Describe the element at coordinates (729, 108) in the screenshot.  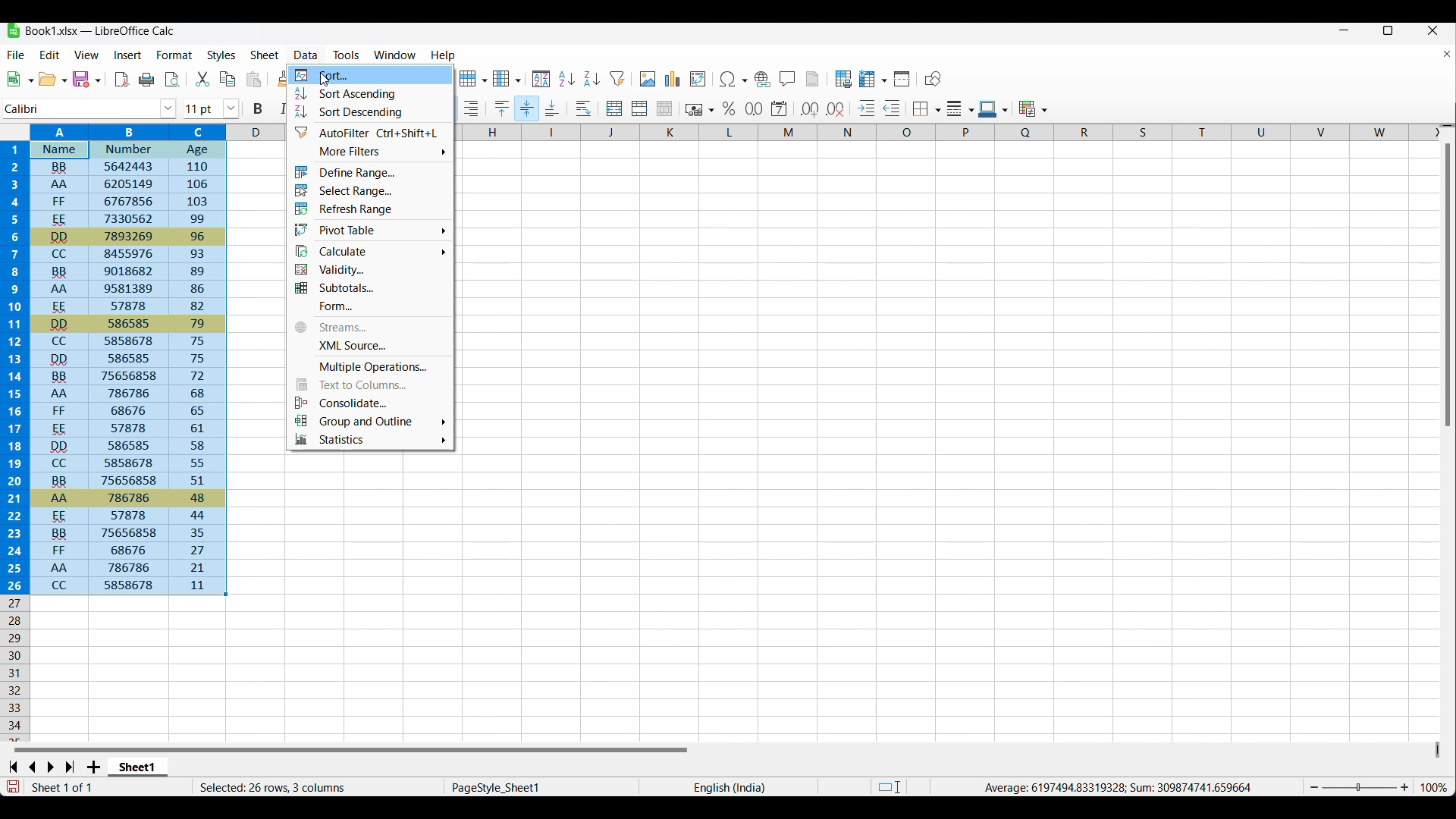
I see `Format as percent` at that location.